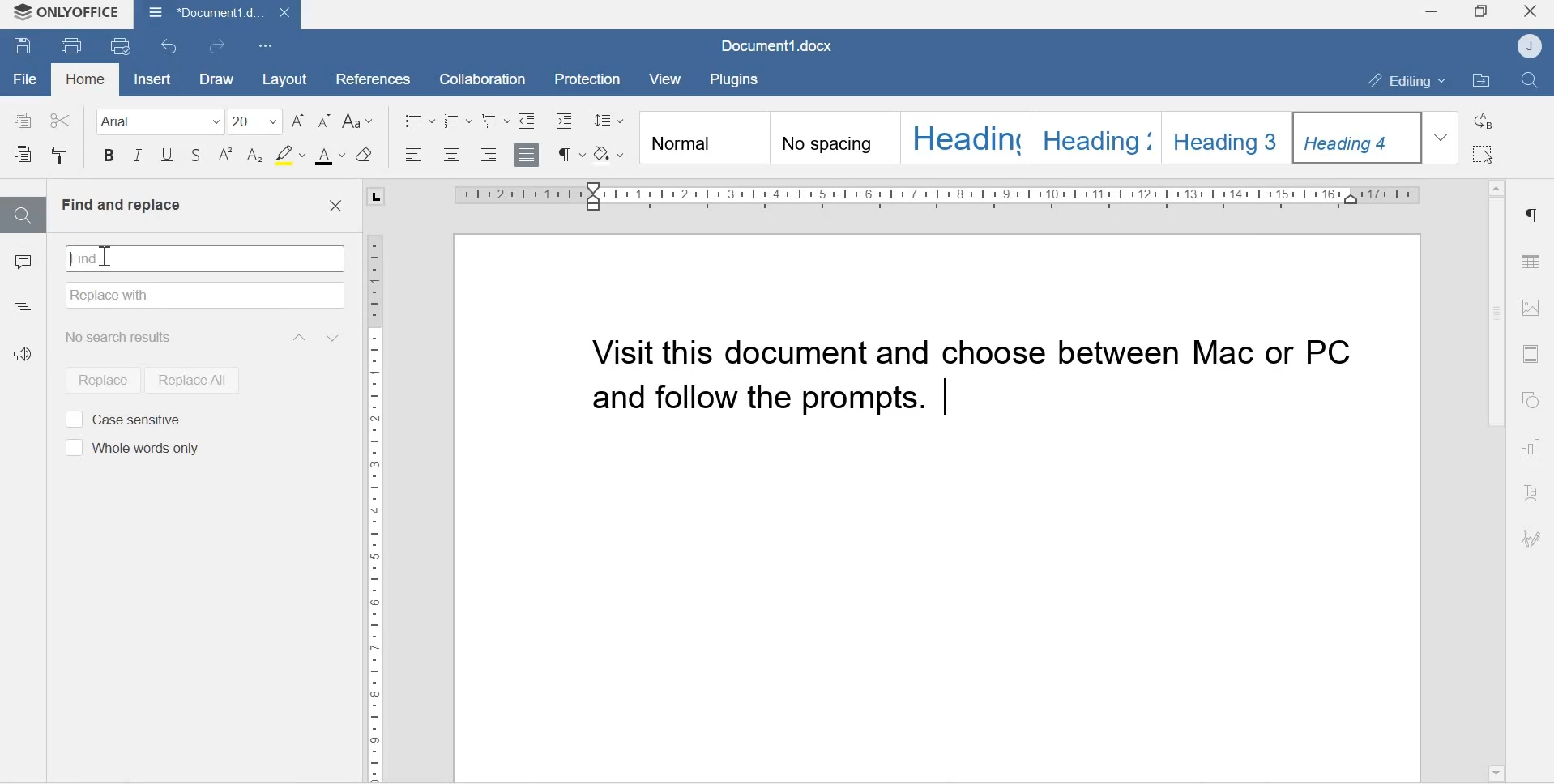  I want to click on Dropdown, so click(1443, 137).